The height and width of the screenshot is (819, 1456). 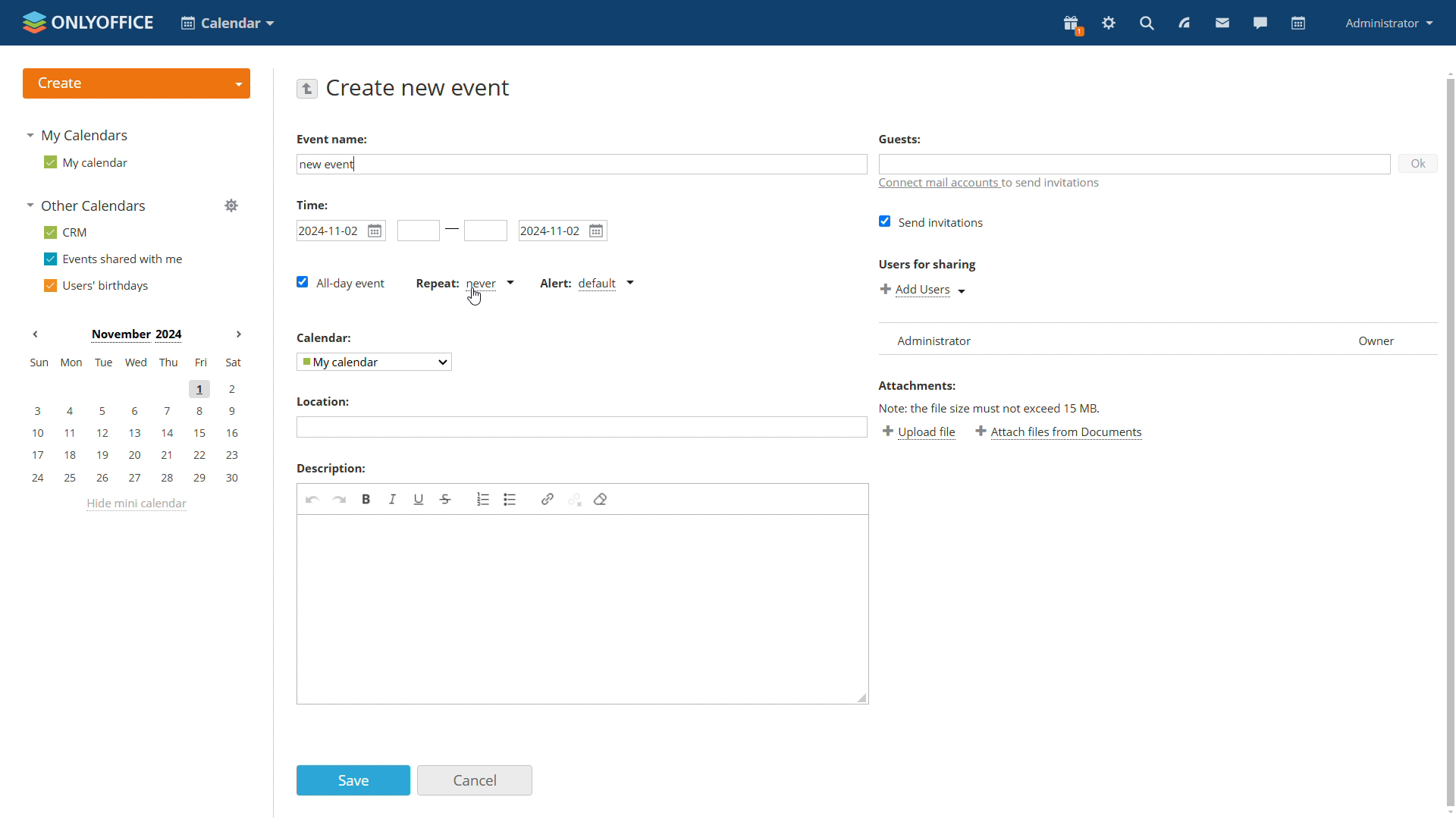 What do you see at coordinates (1447, 71) in the screenshot?
I see `scroll -up` at bounding box center [1447, 71].